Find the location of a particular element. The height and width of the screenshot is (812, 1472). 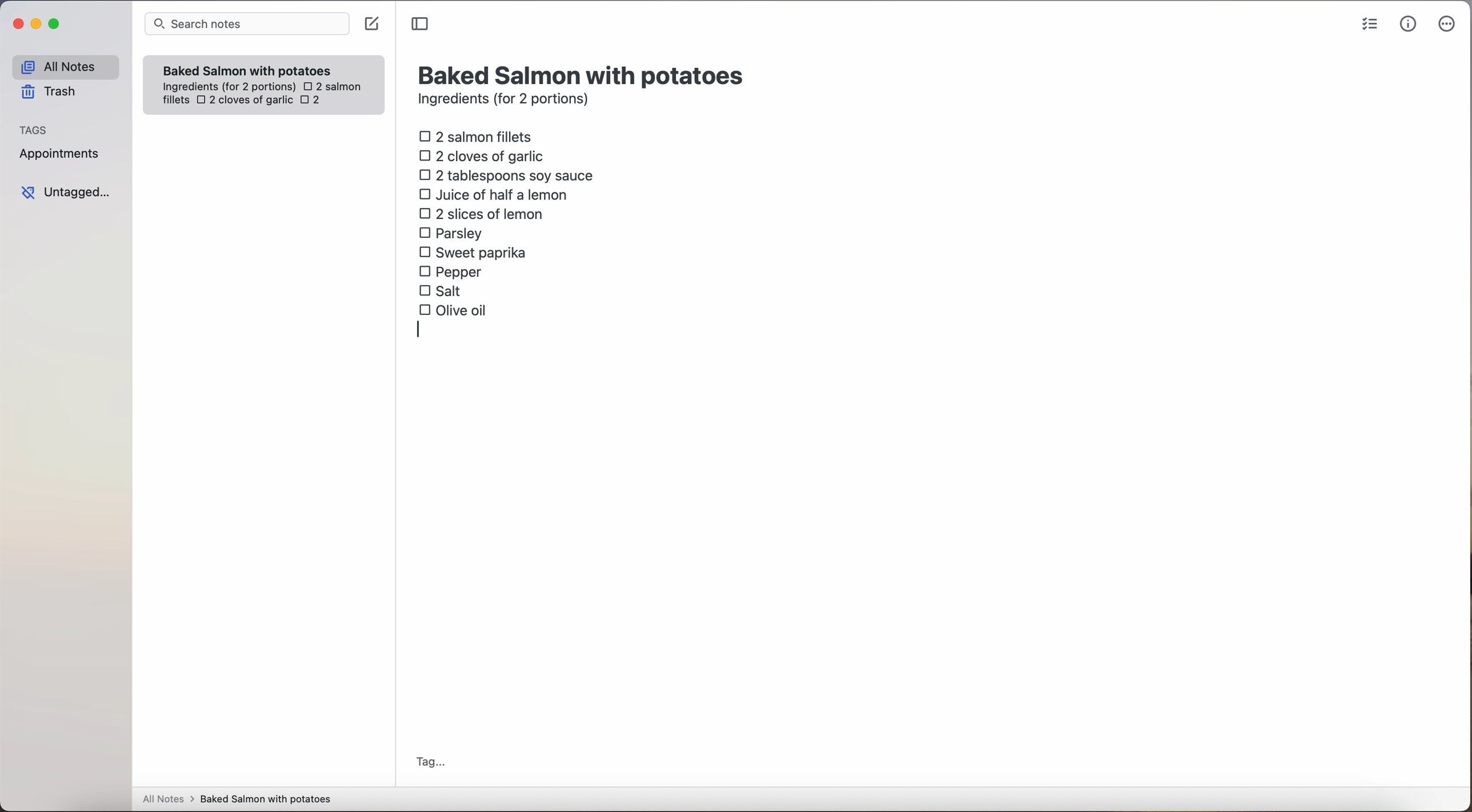

metrics is located at coordinates (1409, 23).